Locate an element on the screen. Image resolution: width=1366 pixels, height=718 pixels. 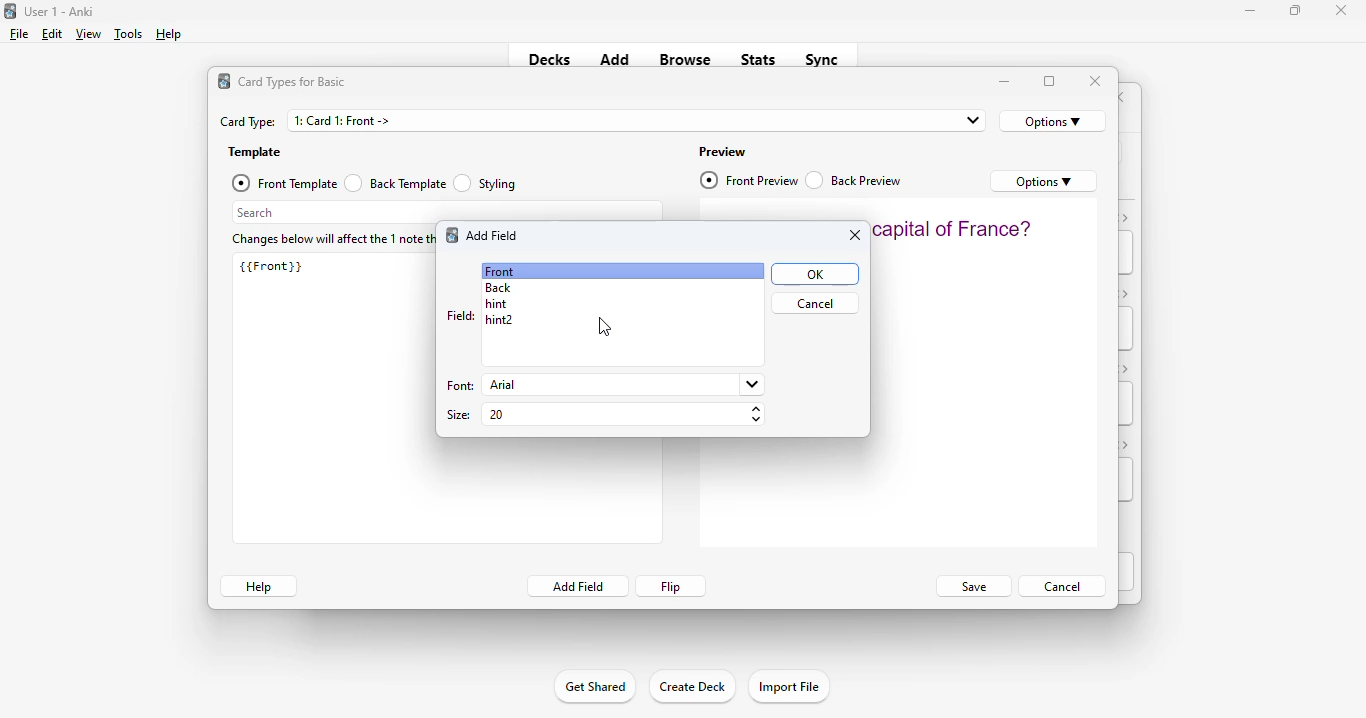
add field is located at coordinates (577, 586).